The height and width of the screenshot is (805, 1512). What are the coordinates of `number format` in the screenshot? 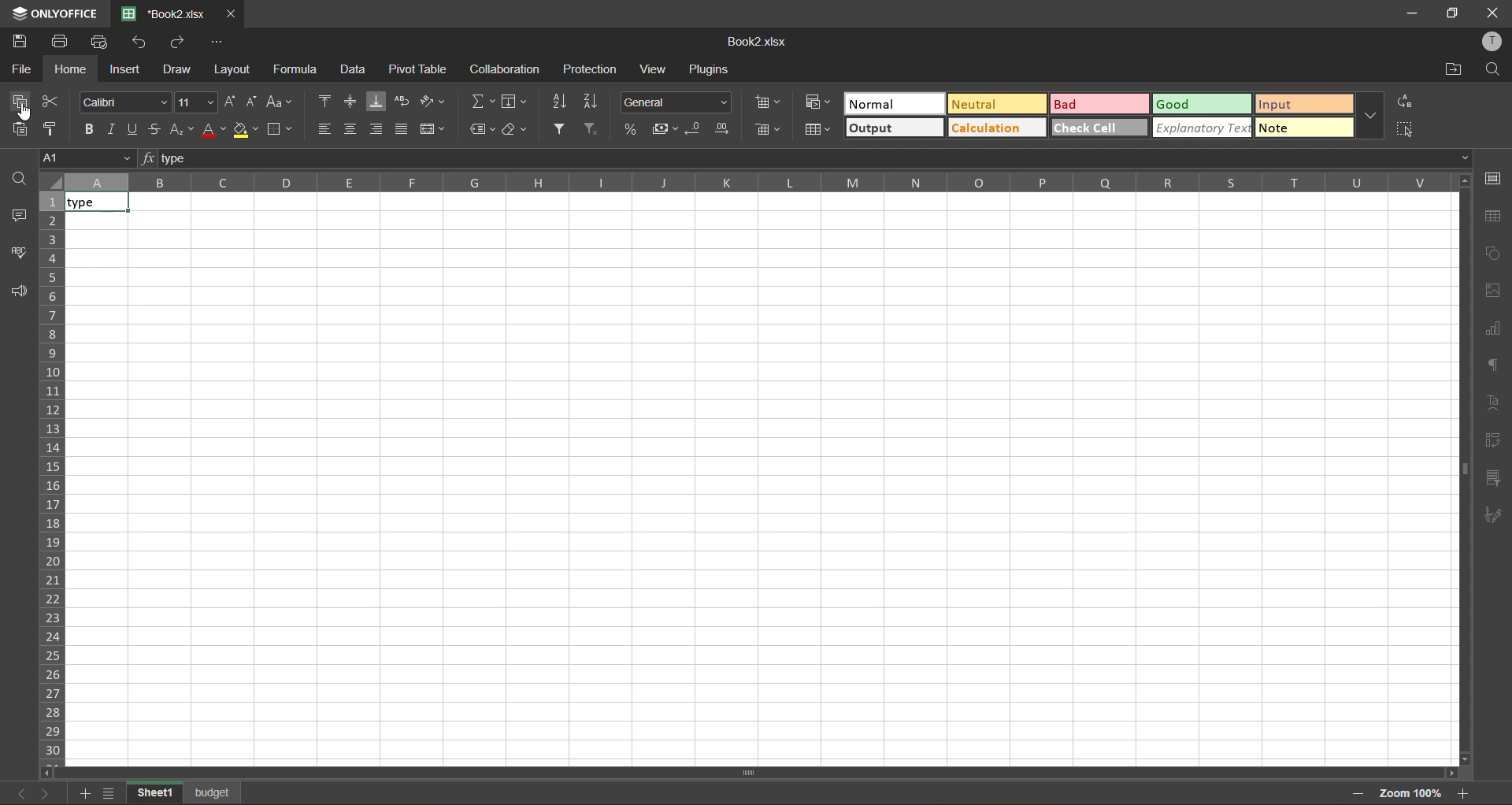 It's located at (676, 102).